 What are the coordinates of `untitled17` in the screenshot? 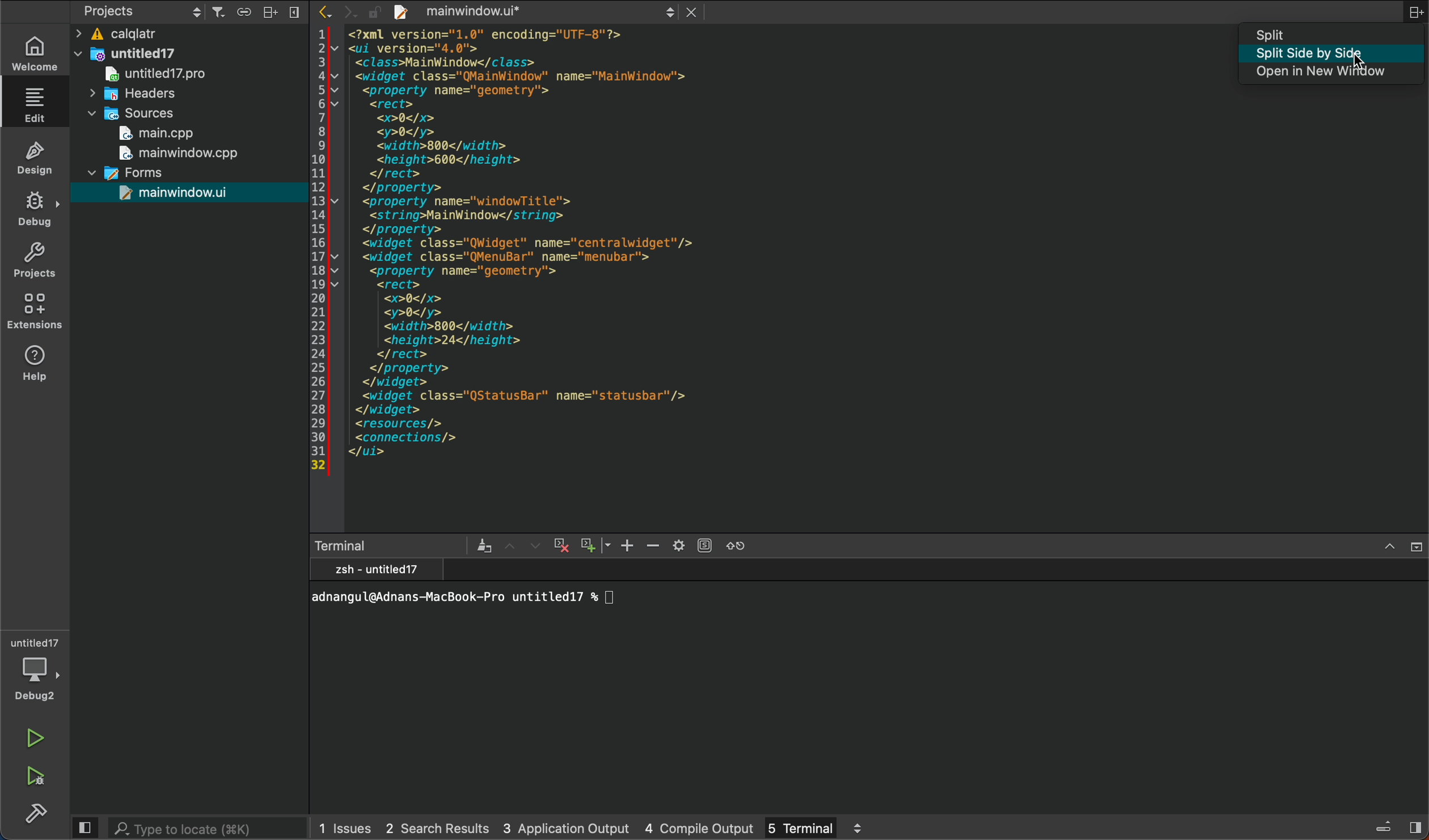 It's located at (126, 54).